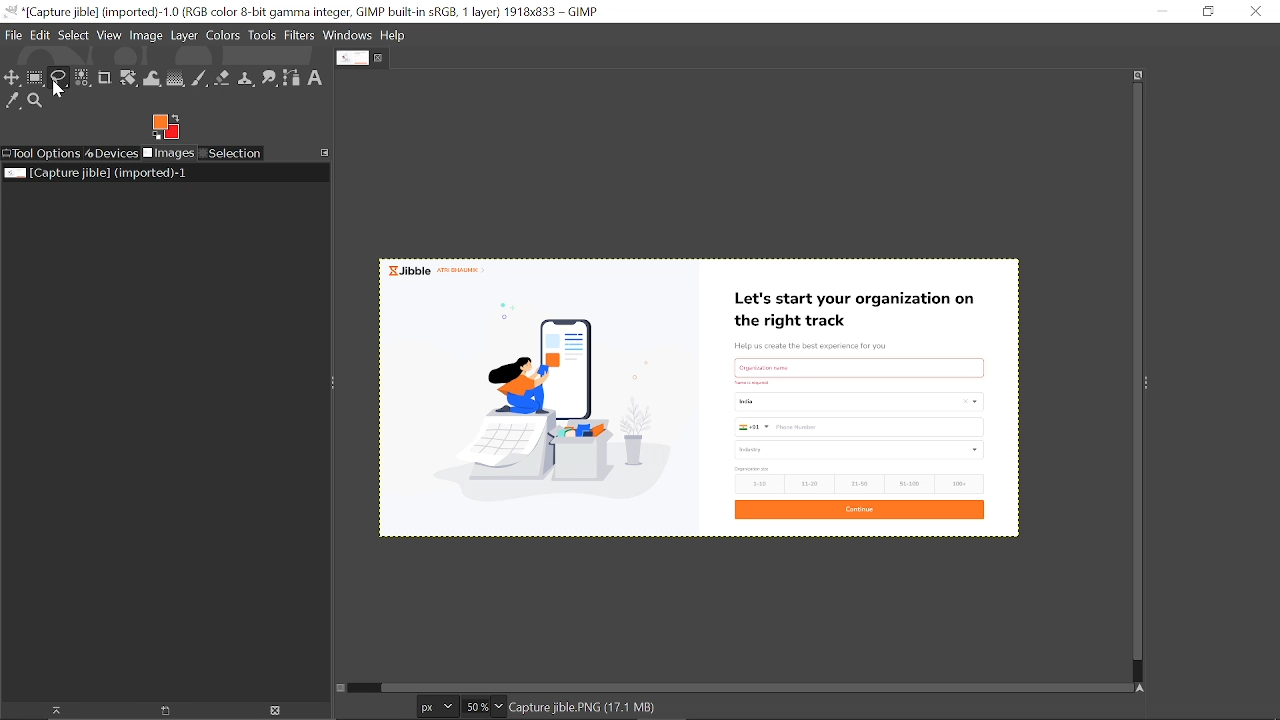 The height and width of the screenshot is (720, 1280). Describe the element at coordinates (35, 77) in the screenshot. I see `Rectangular select tool` at that location.